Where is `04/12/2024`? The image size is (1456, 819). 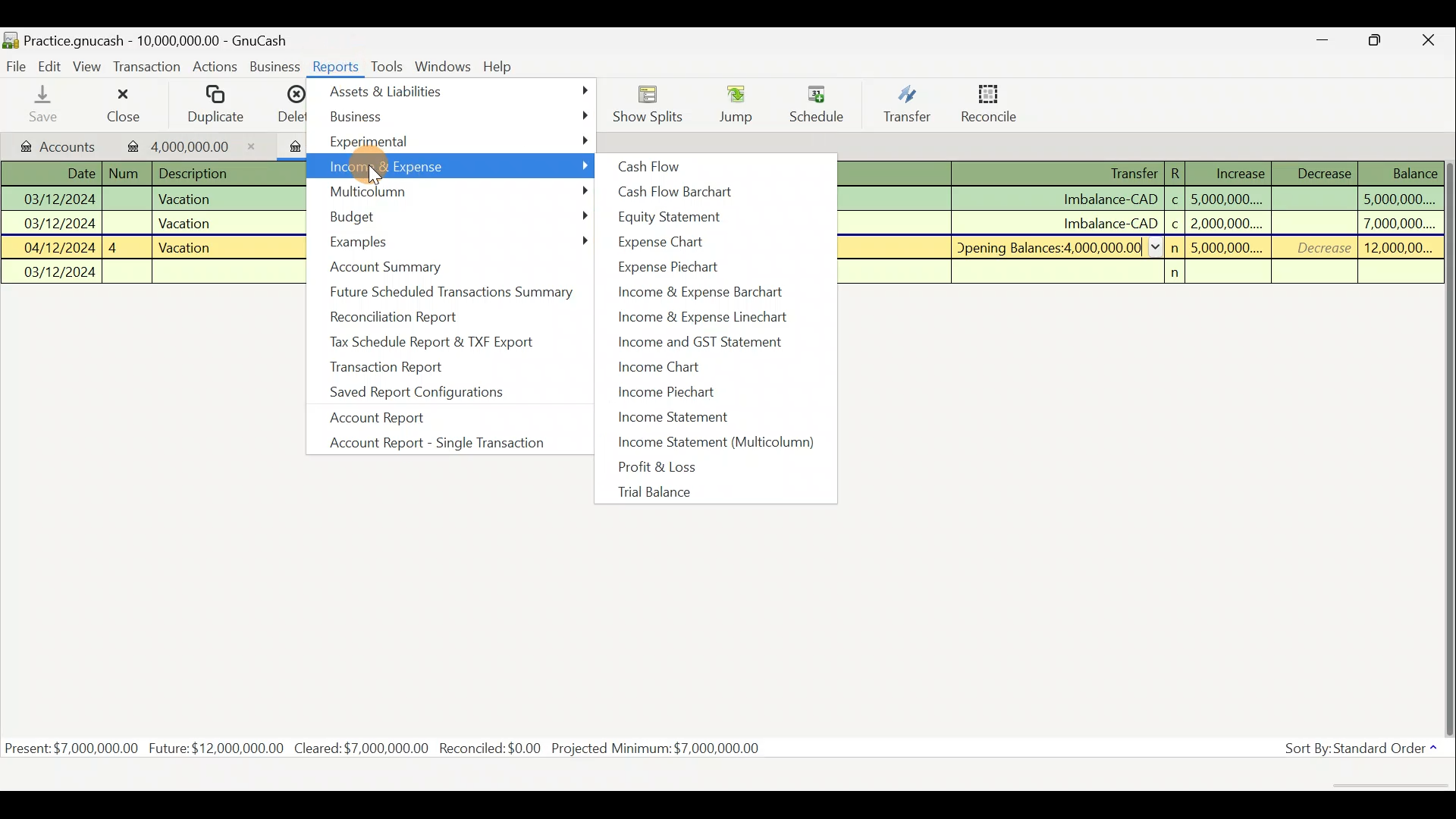 04/12/2024 is located at coordinates (59, 246).